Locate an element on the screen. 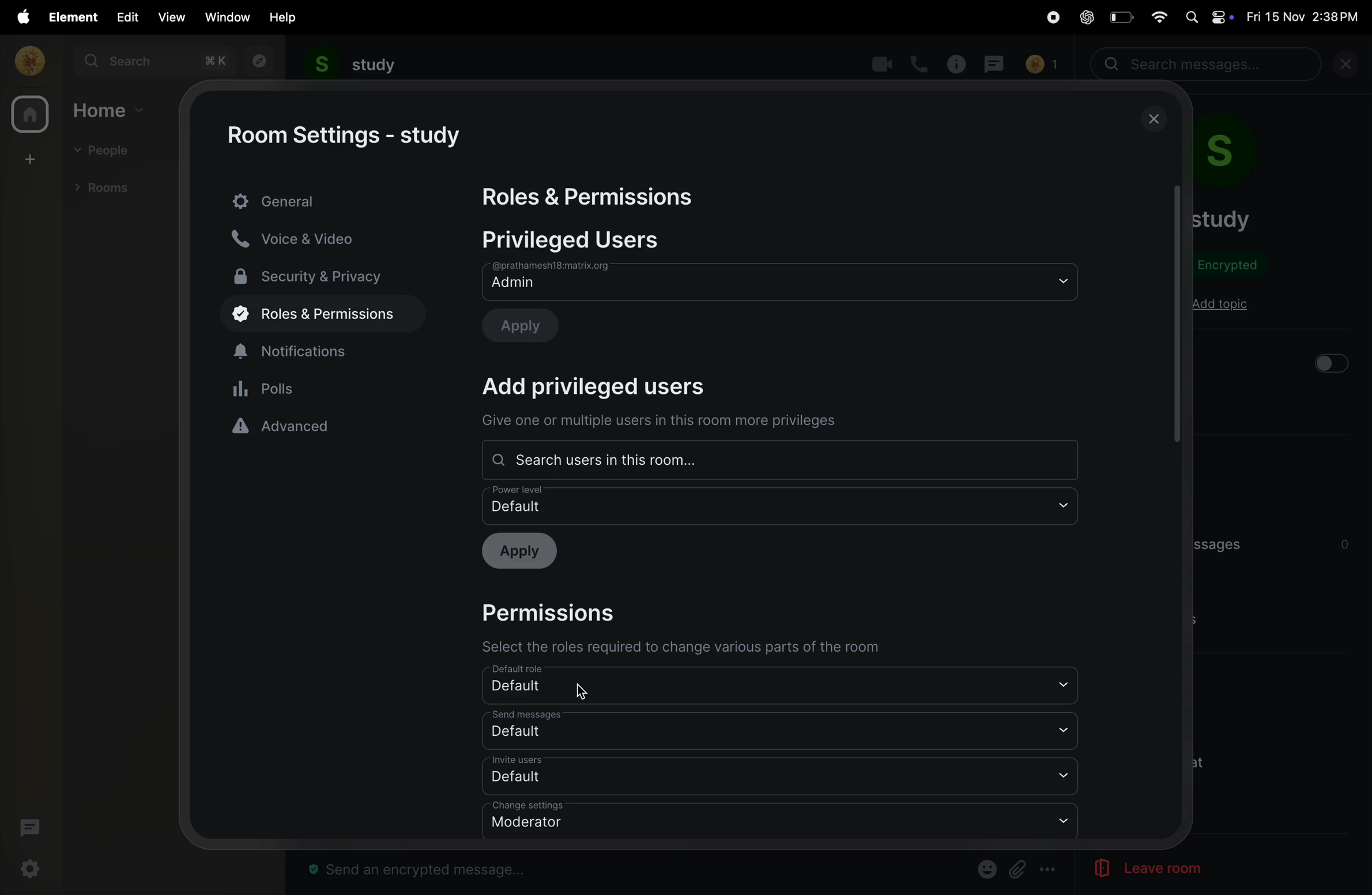  record is located at coordinates (1048, 18).